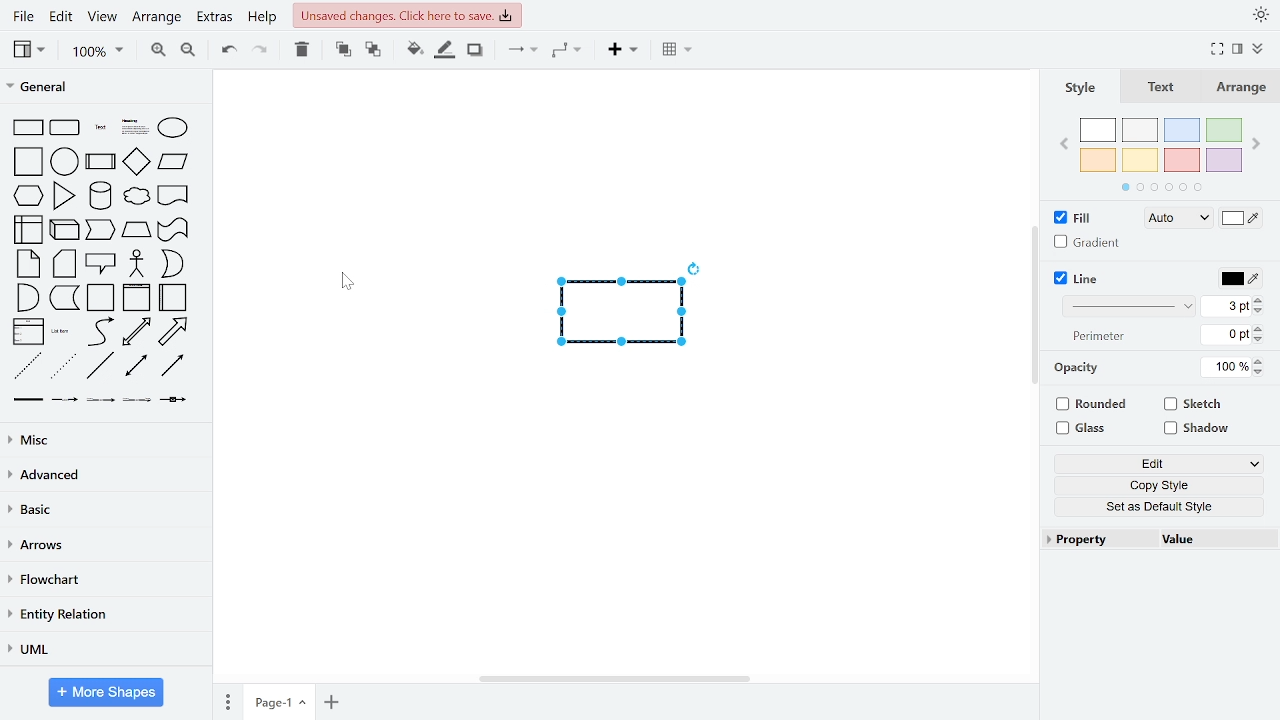  I want to click on view, so click(105, 15).